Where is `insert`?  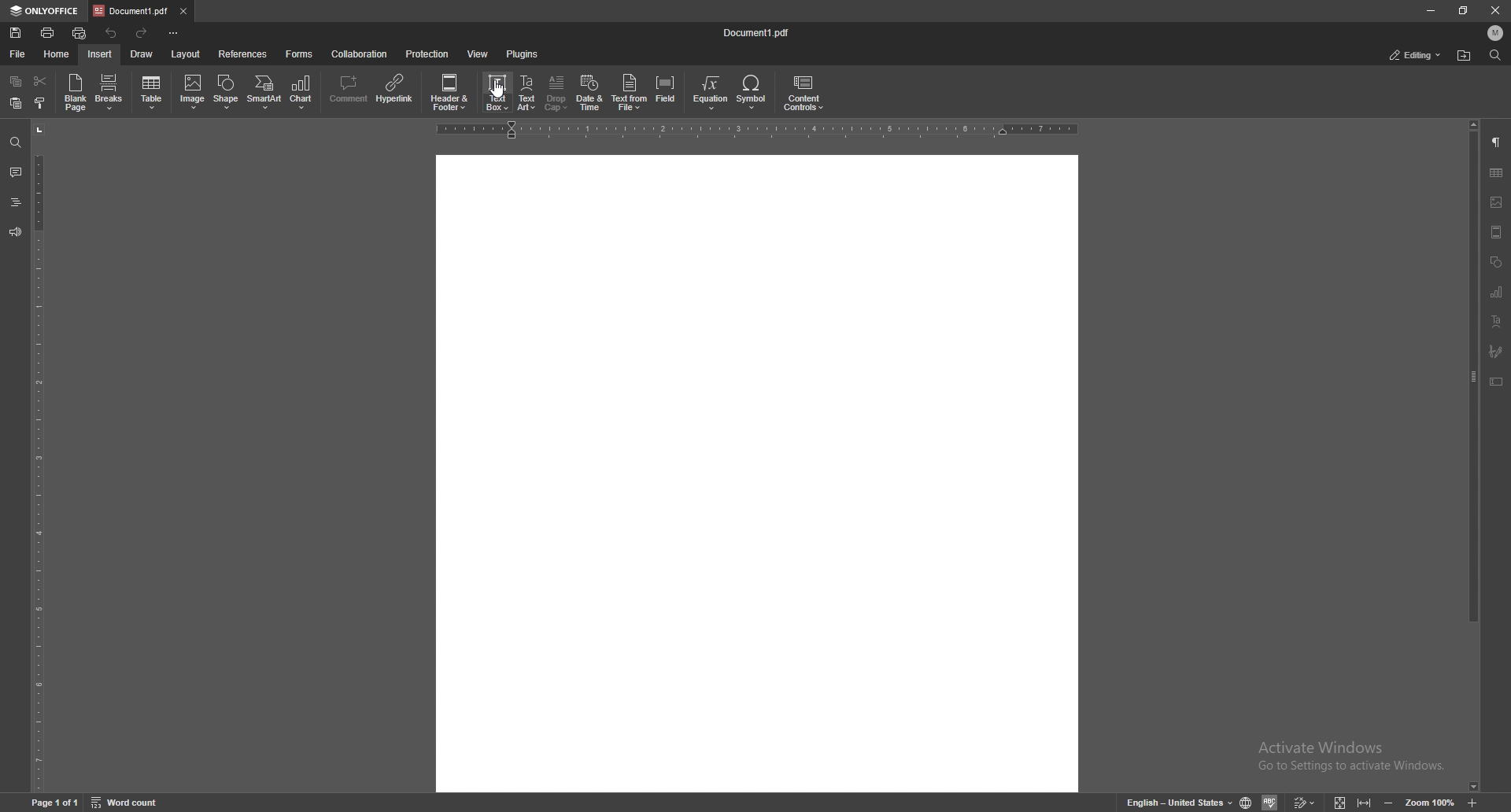 insert is located at coordinates (100, 54).